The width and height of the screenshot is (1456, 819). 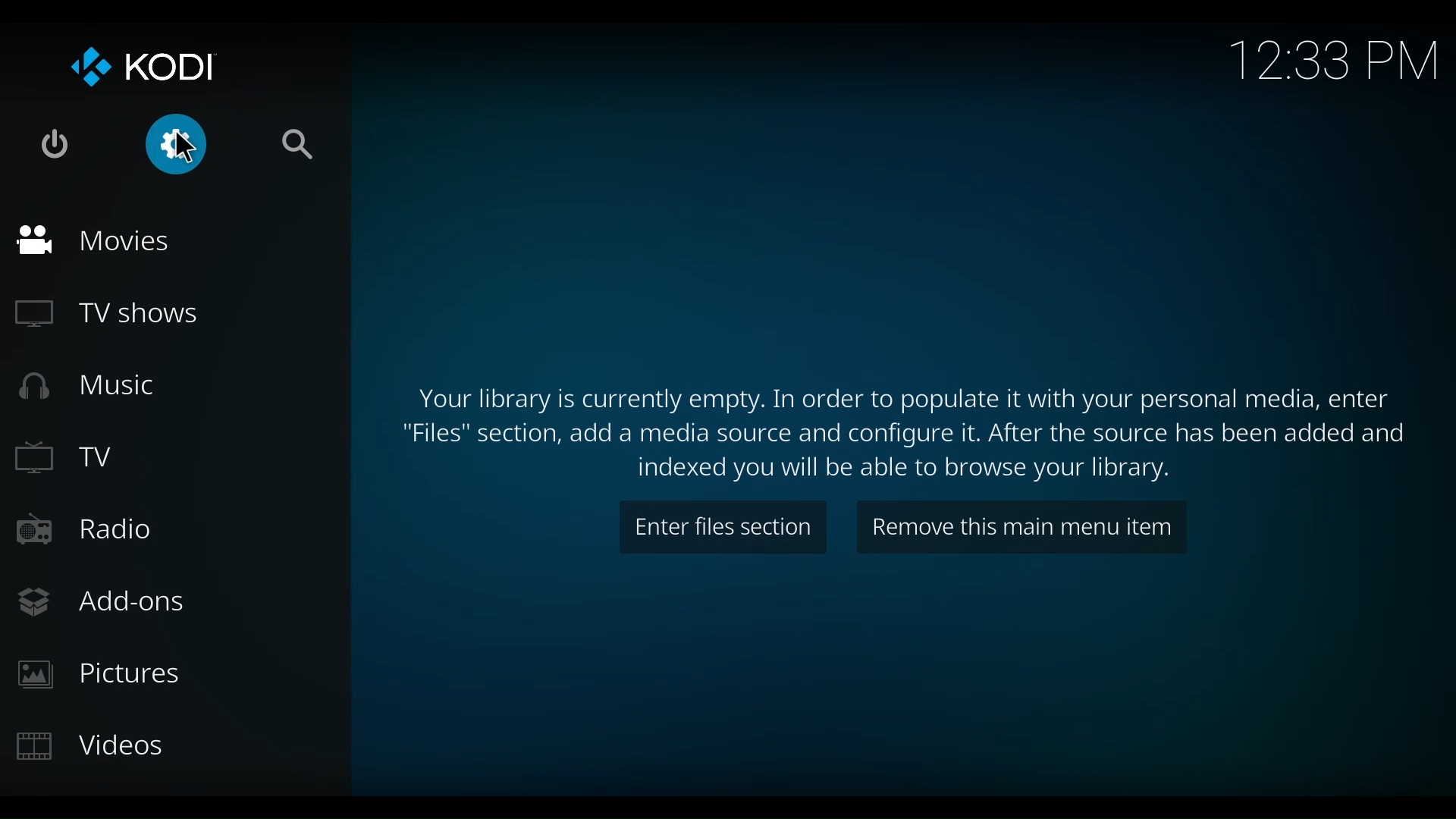 What do you see at coordinates (111, 604) in the screenshot?
I see `Add-ons` at bounding box center [111, 604].